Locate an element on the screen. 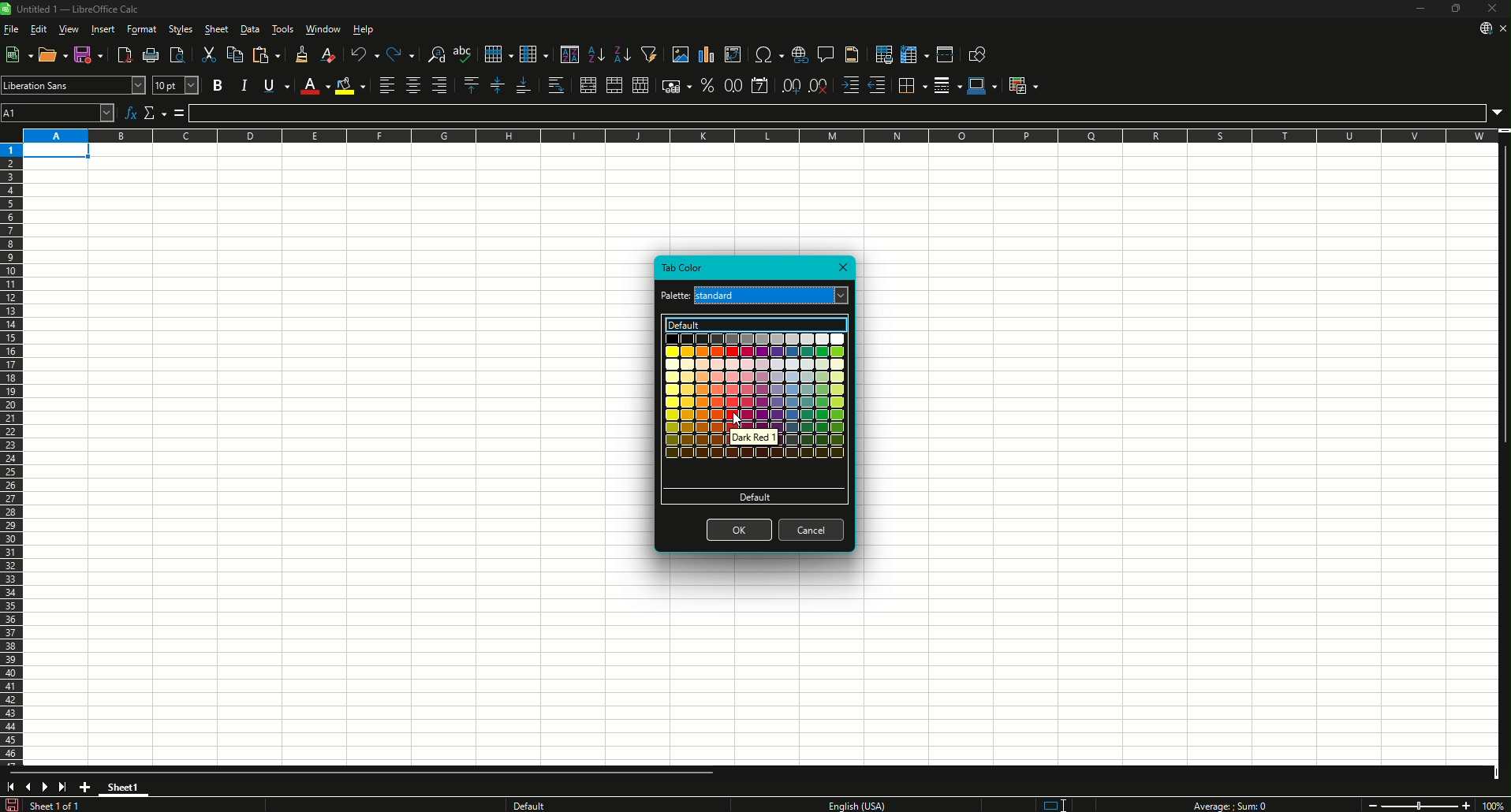  Cut is located at coordinates (209, 54).